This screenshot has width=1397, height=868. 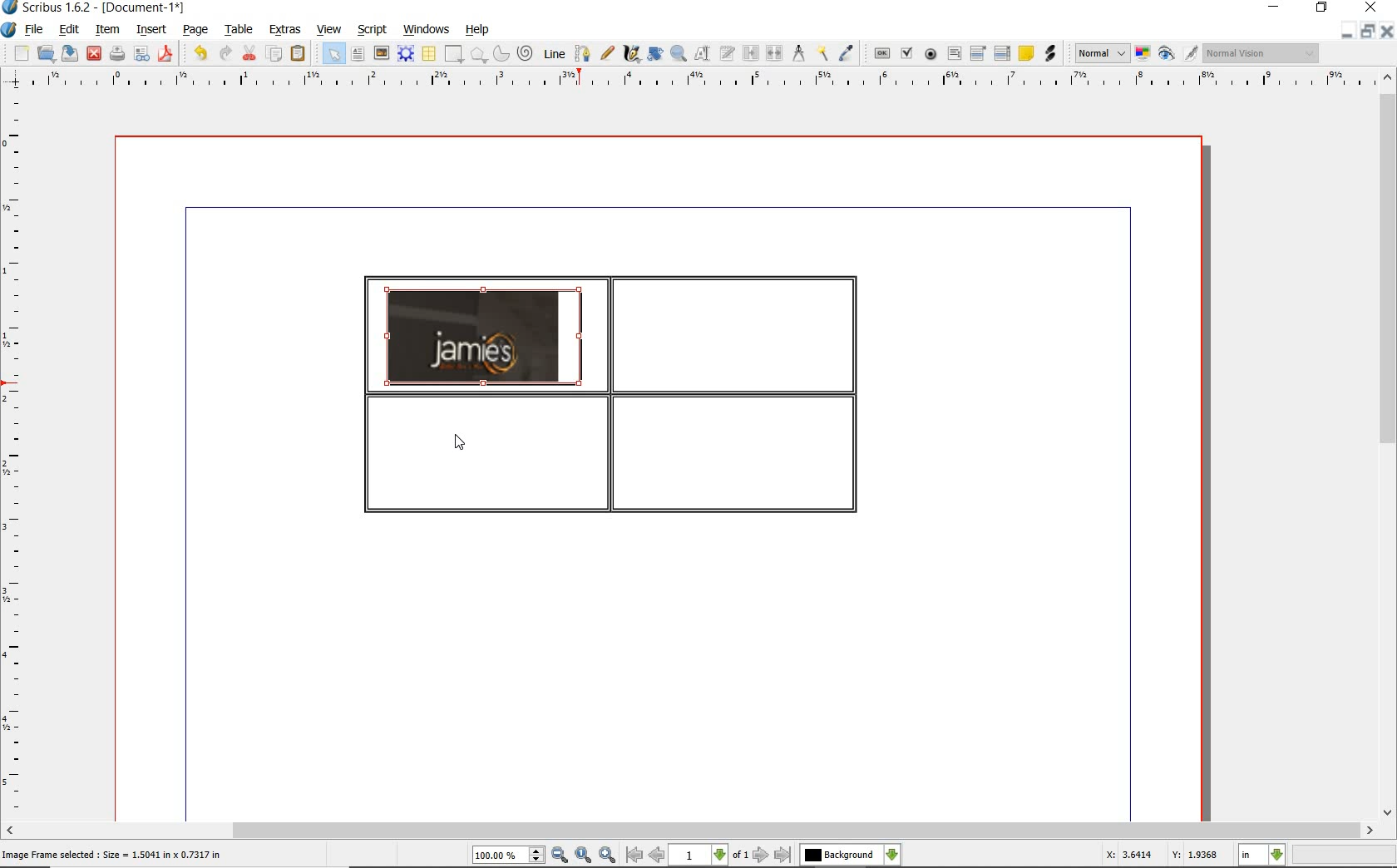 I want to click on X: 3.6414 Y: 1.9368, so click(x=1161, y=856).